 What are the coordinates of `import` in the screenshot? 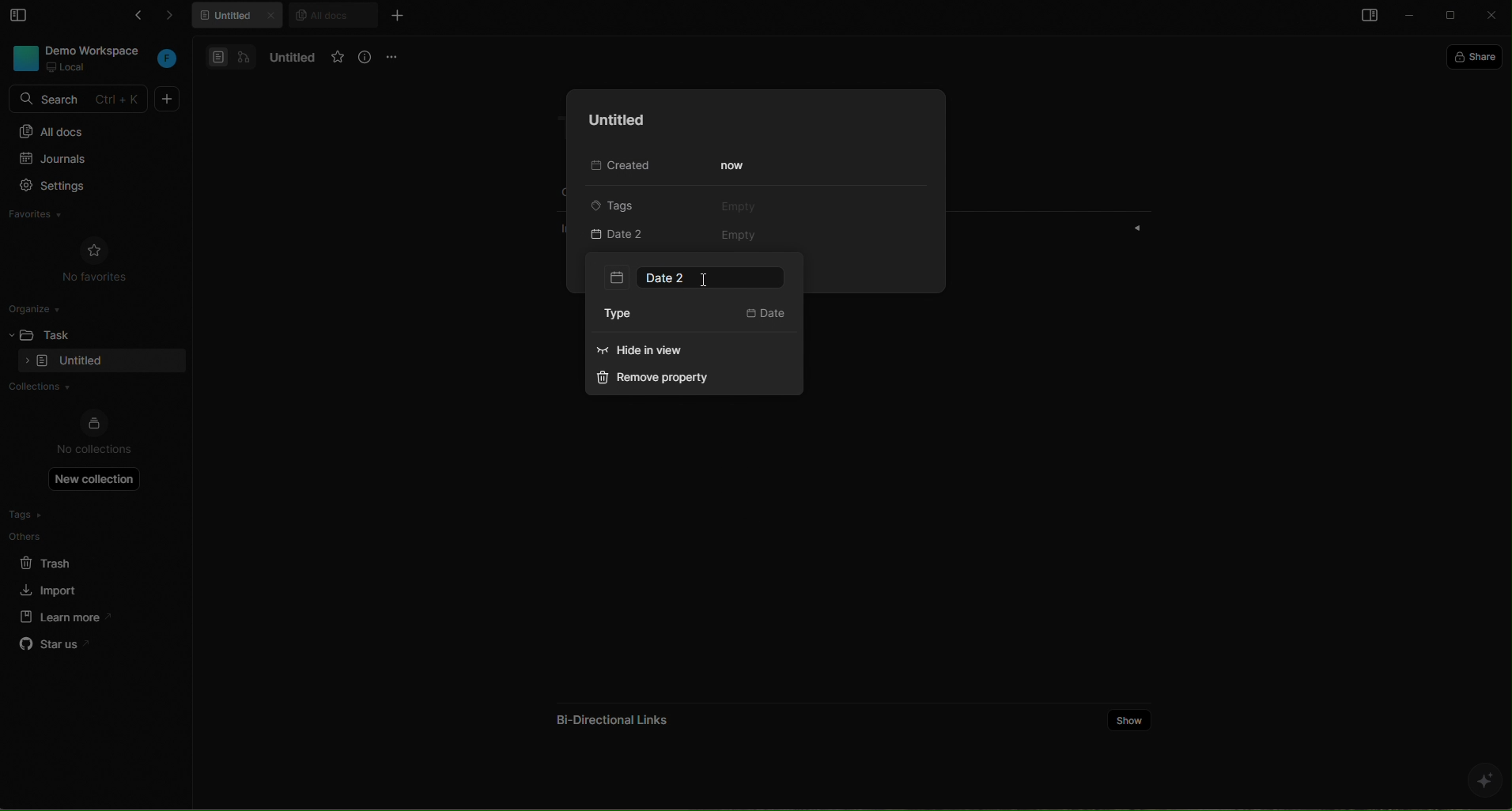 It's located at (51, 588).